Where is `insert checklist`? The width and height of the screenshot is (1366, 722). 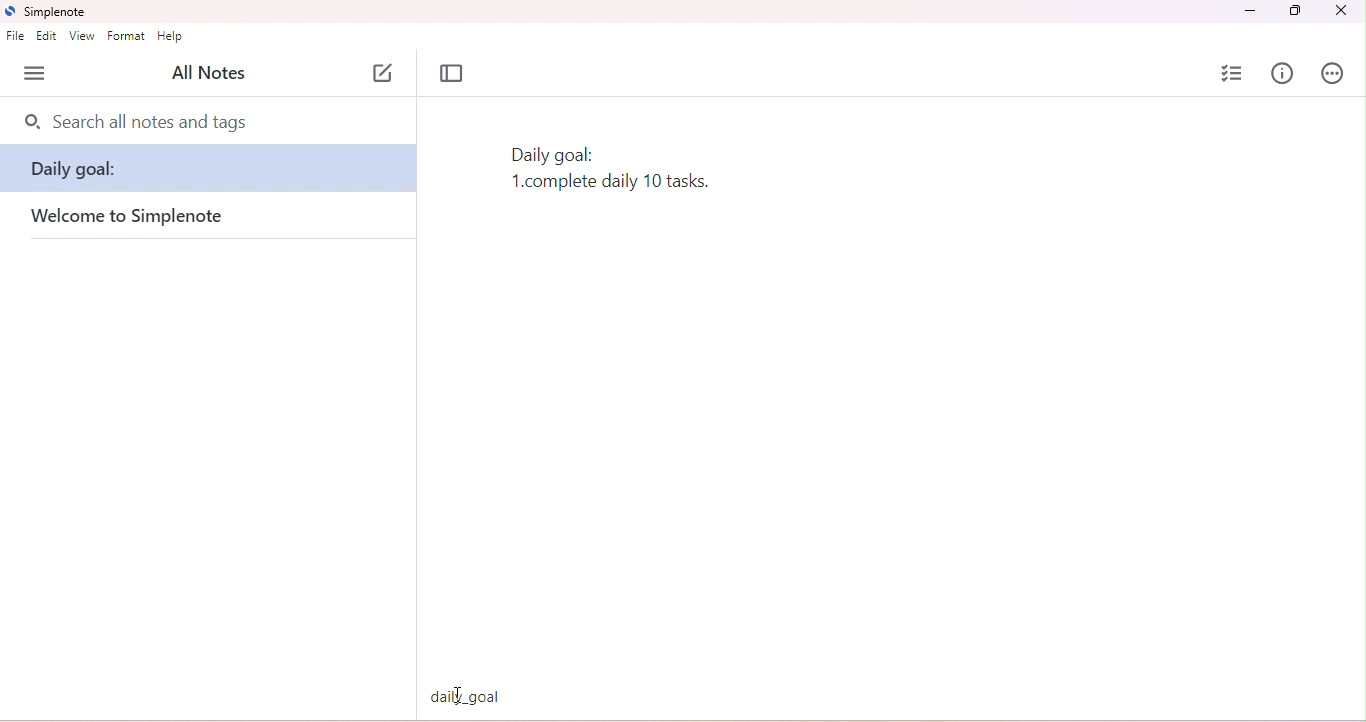
insert checklist is located at coordinates (1234, 74).